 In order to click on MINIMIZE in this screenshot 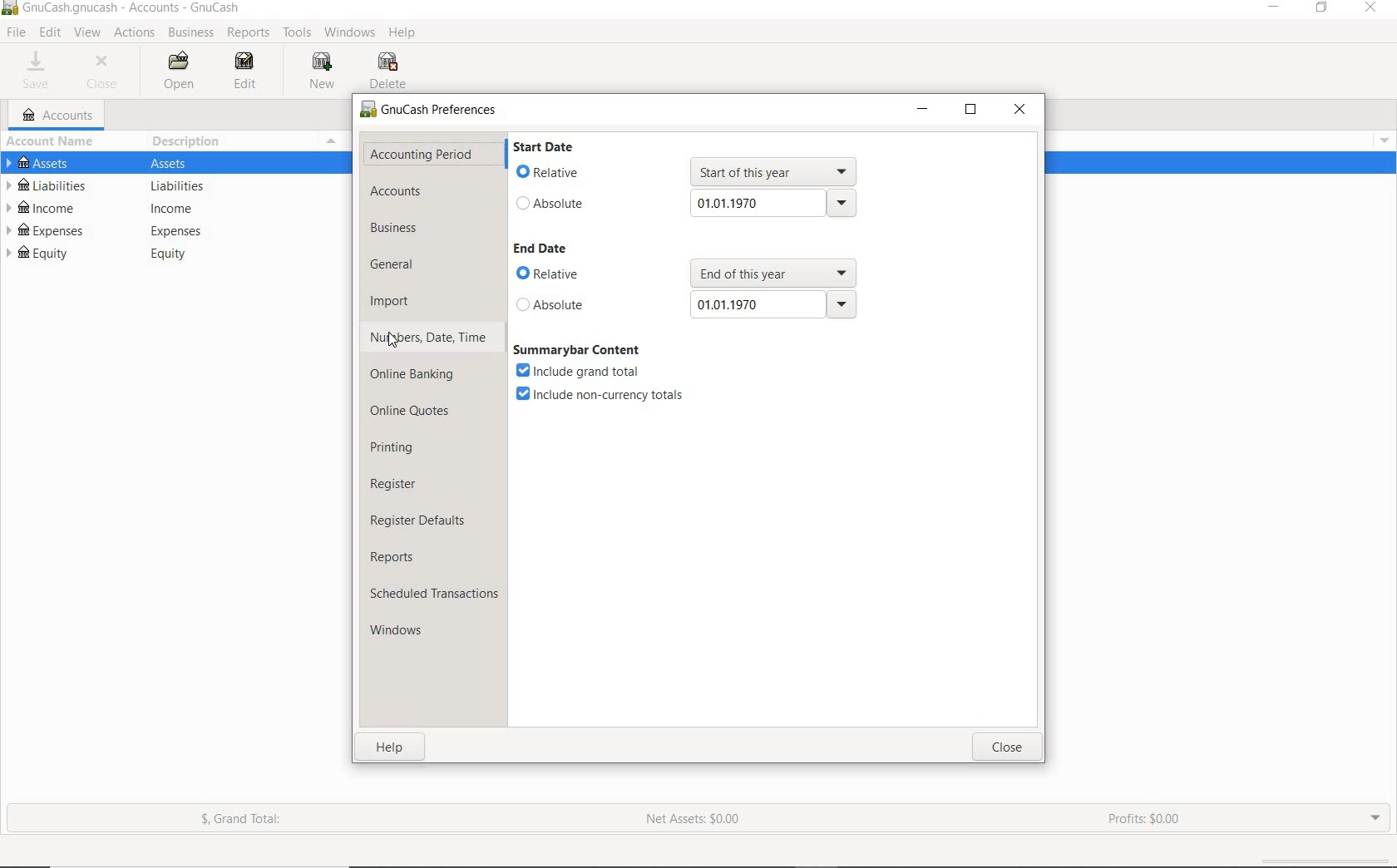, I will do `click(922, 110)`.